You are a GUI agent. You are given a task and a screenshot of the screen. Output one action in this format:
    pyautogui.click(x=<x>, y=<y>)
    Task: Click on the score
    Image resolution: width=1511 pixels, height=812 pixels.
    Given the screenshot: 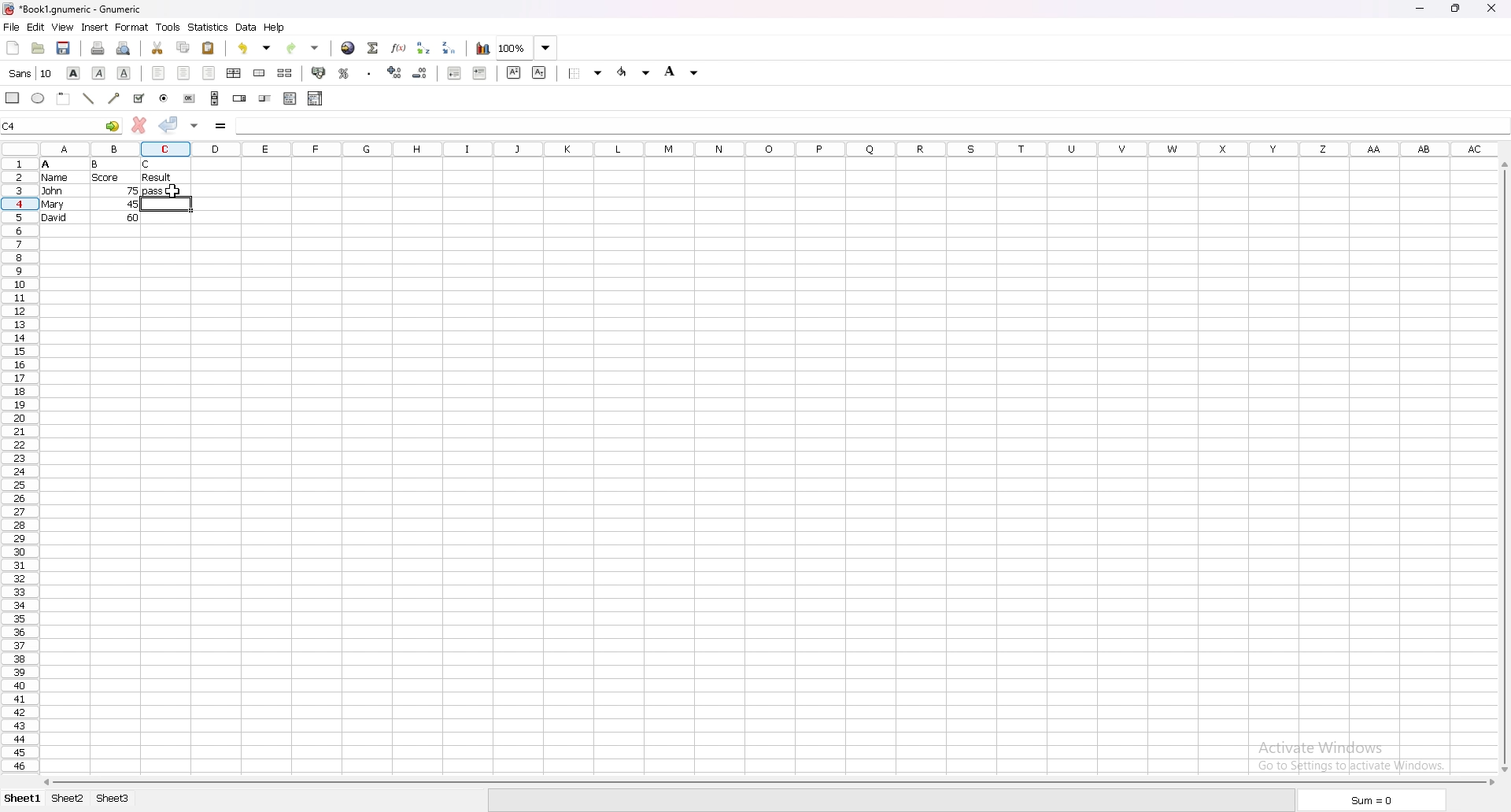 What is the action you would take?
    pyautogui.click(x=107, y=178)
    